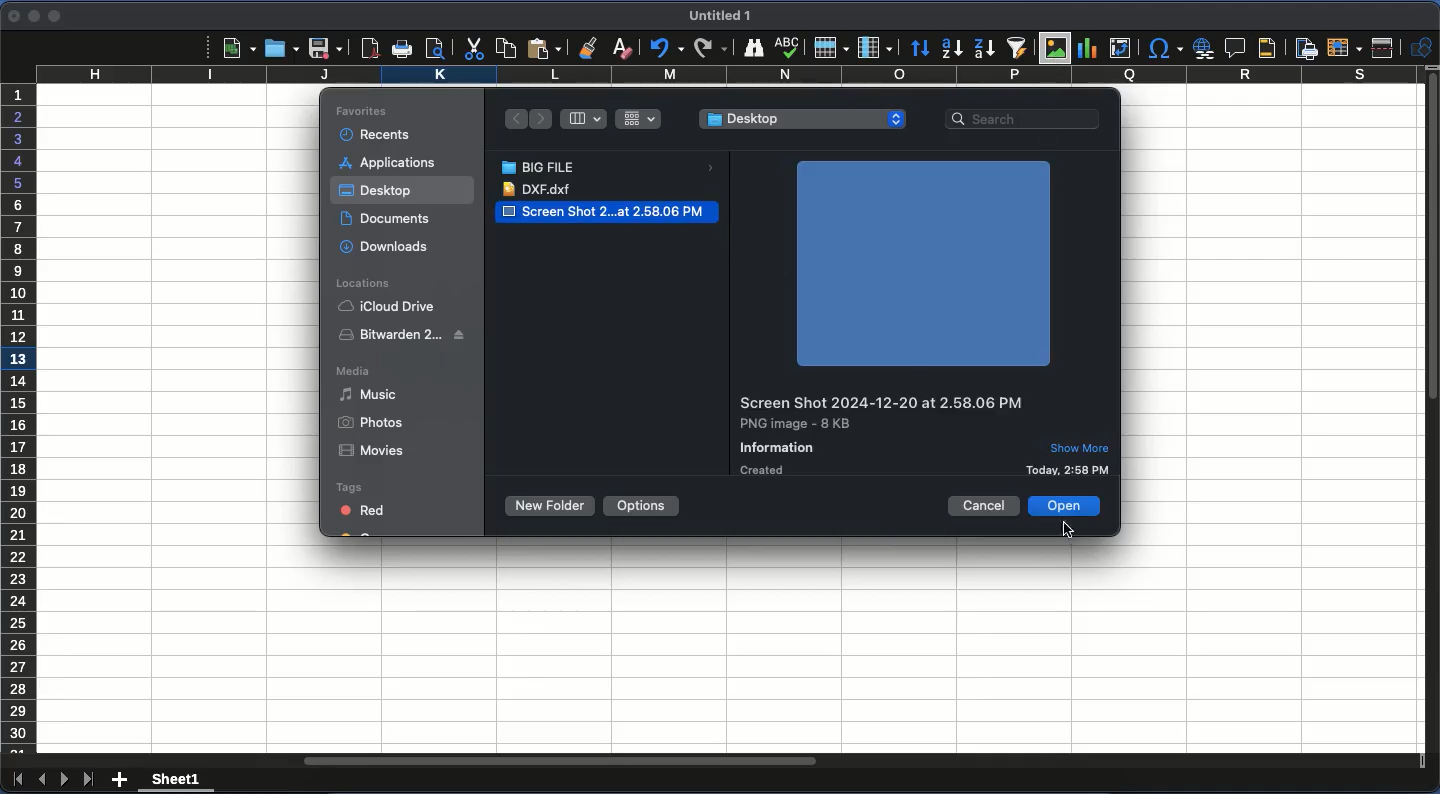  Describe the element at coordinates (1119, 48) in the screenshot. I see `pivot table` at that location.